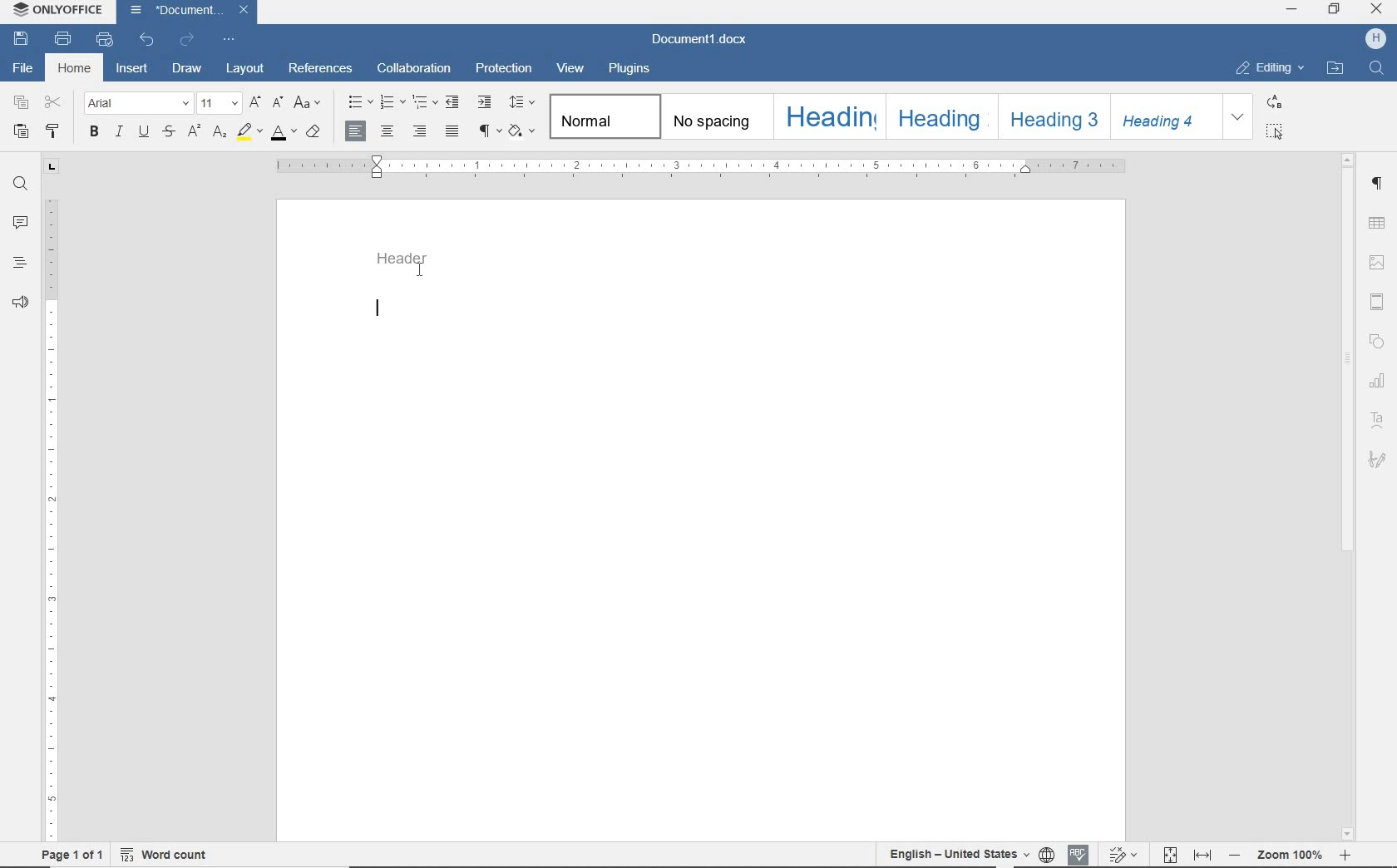 The width and height of the screenshot is (1397, 868). Describe the element at coordinates (416, 68) in the screenshot. I see `collaboration` at that location.